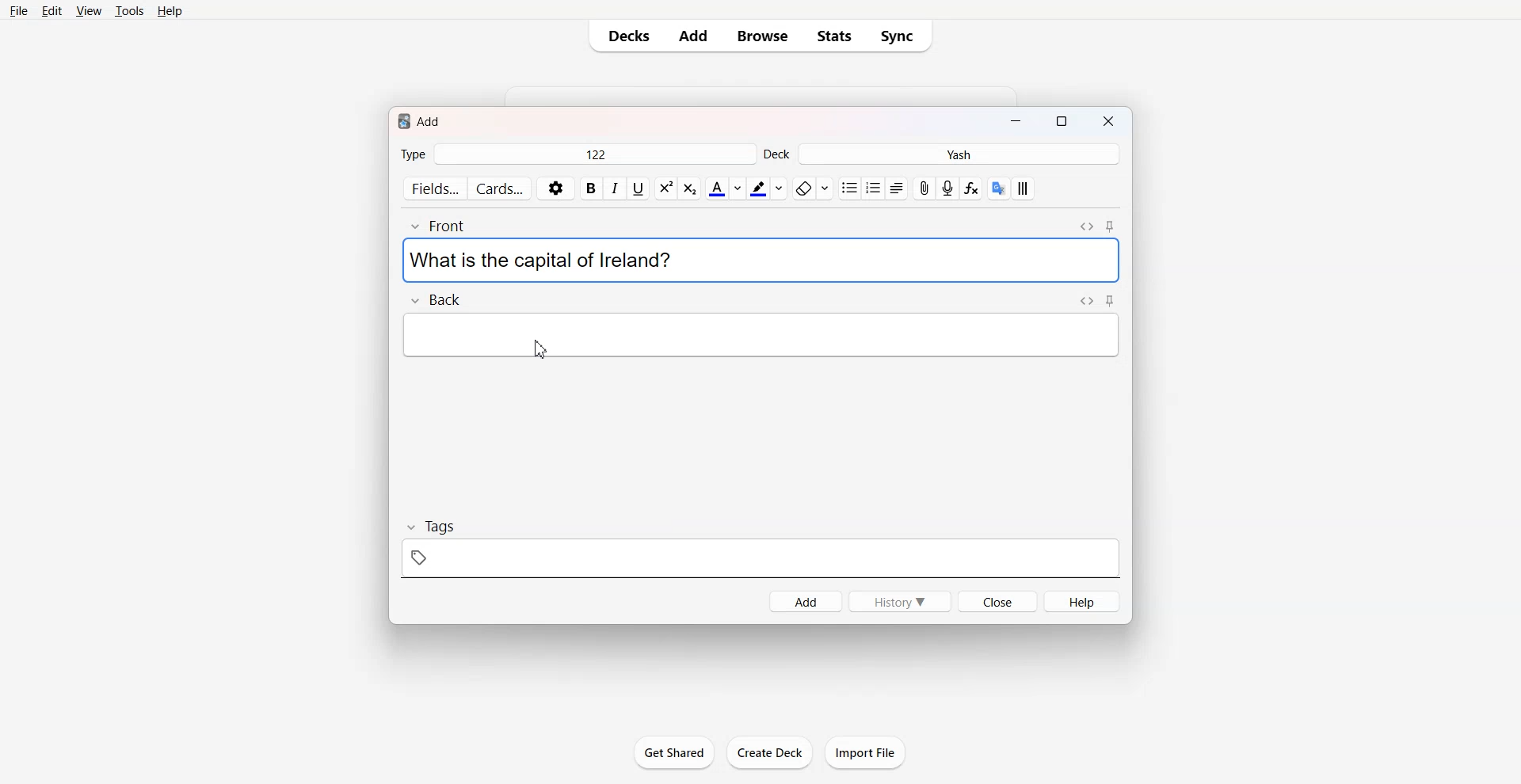 This screenshot has width=1521, height=784. I want to click on Toggle HTML Editor, so click(1086, 226).